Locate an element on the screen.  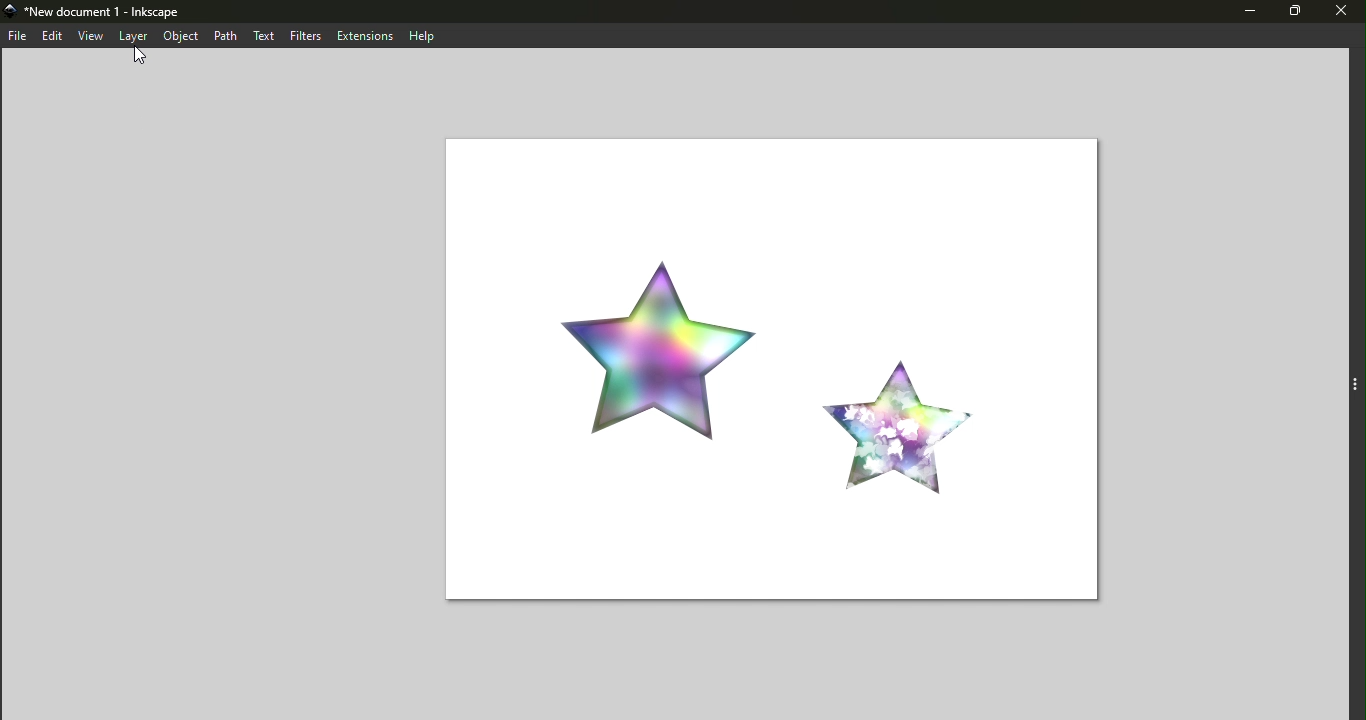
object is located at coordinates (181, 38).